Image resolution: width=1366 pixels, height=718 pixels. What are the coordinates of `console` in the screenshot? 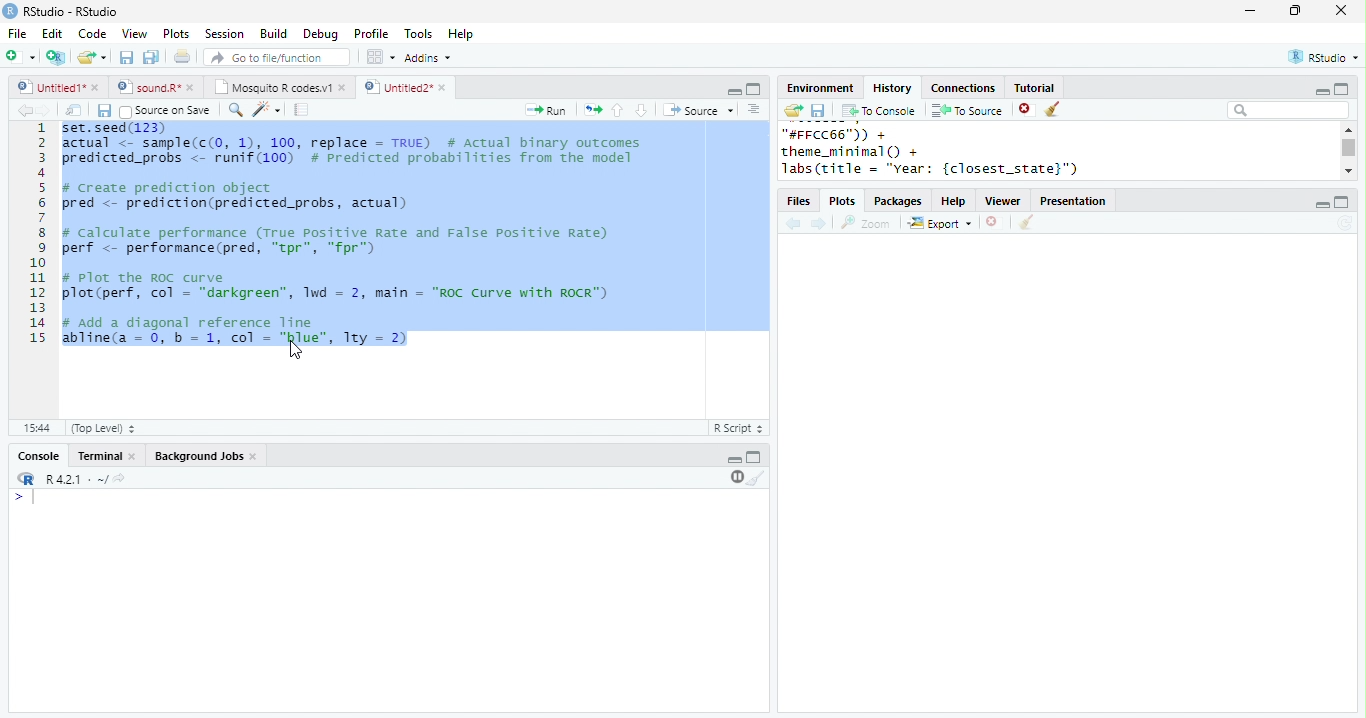 It's located at (37, 457).